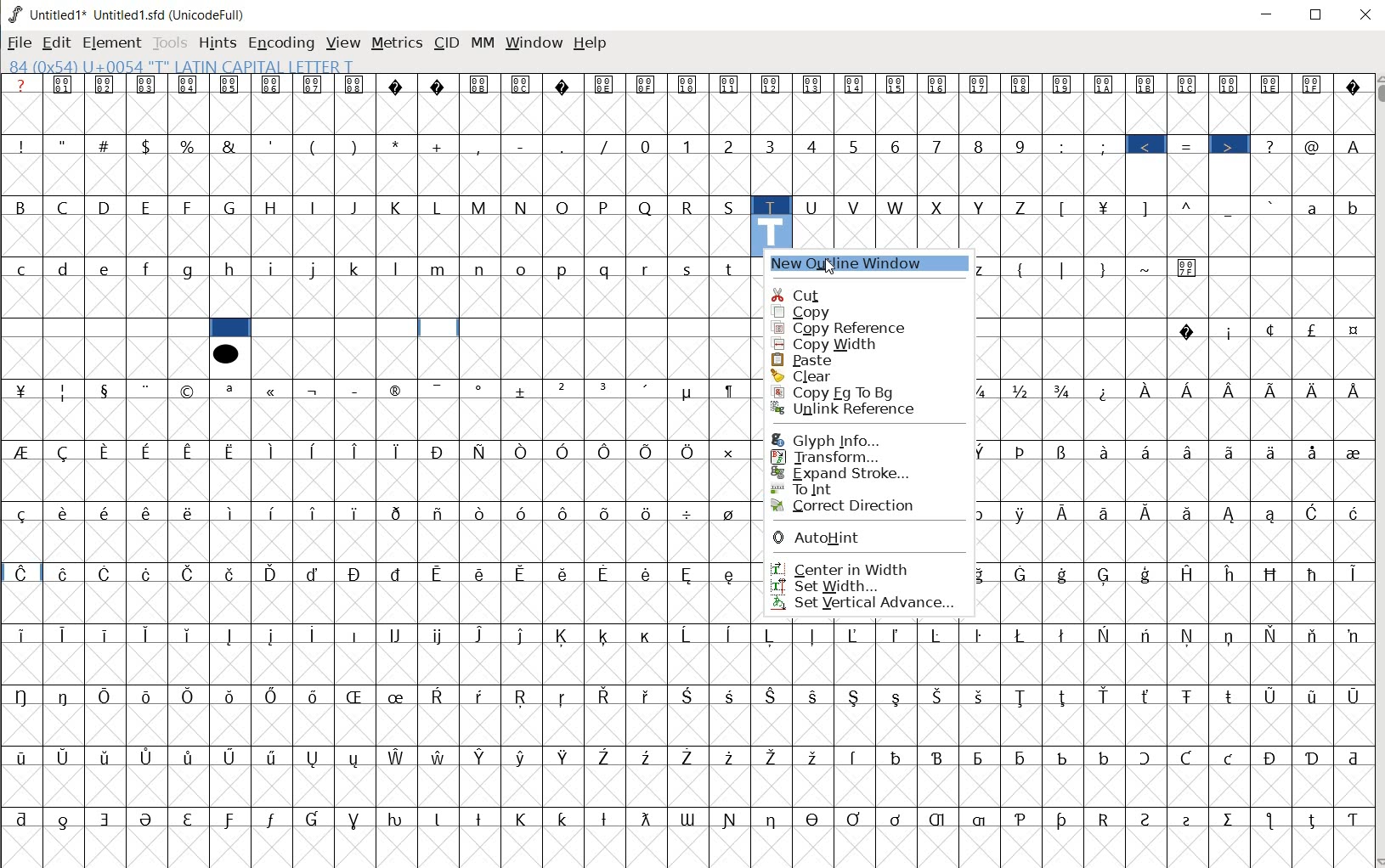  I want to click on Symbol, so click(605, 389).